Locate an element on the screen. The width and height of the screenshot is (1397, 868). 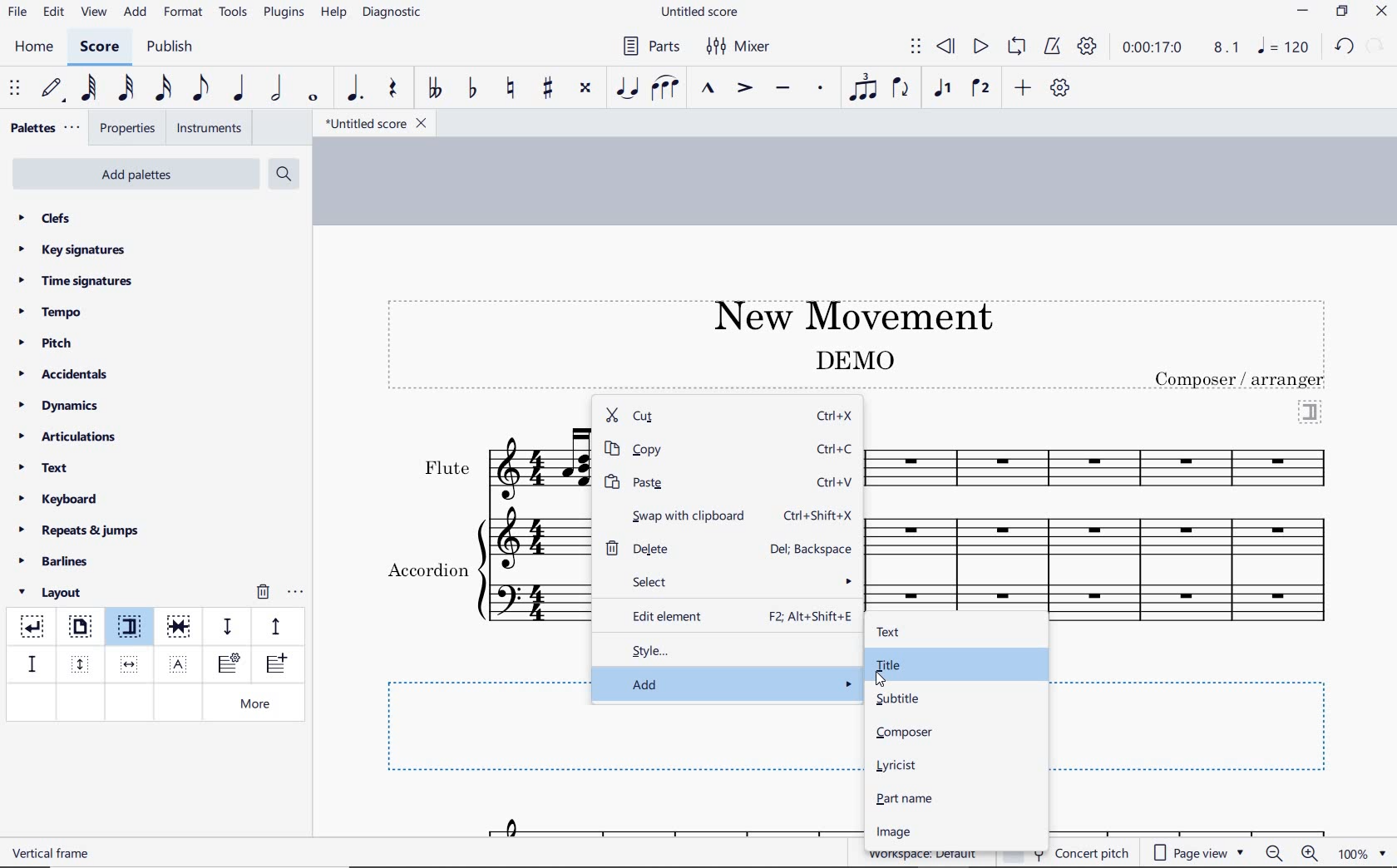
plugins is located at coordinates (284, 13).